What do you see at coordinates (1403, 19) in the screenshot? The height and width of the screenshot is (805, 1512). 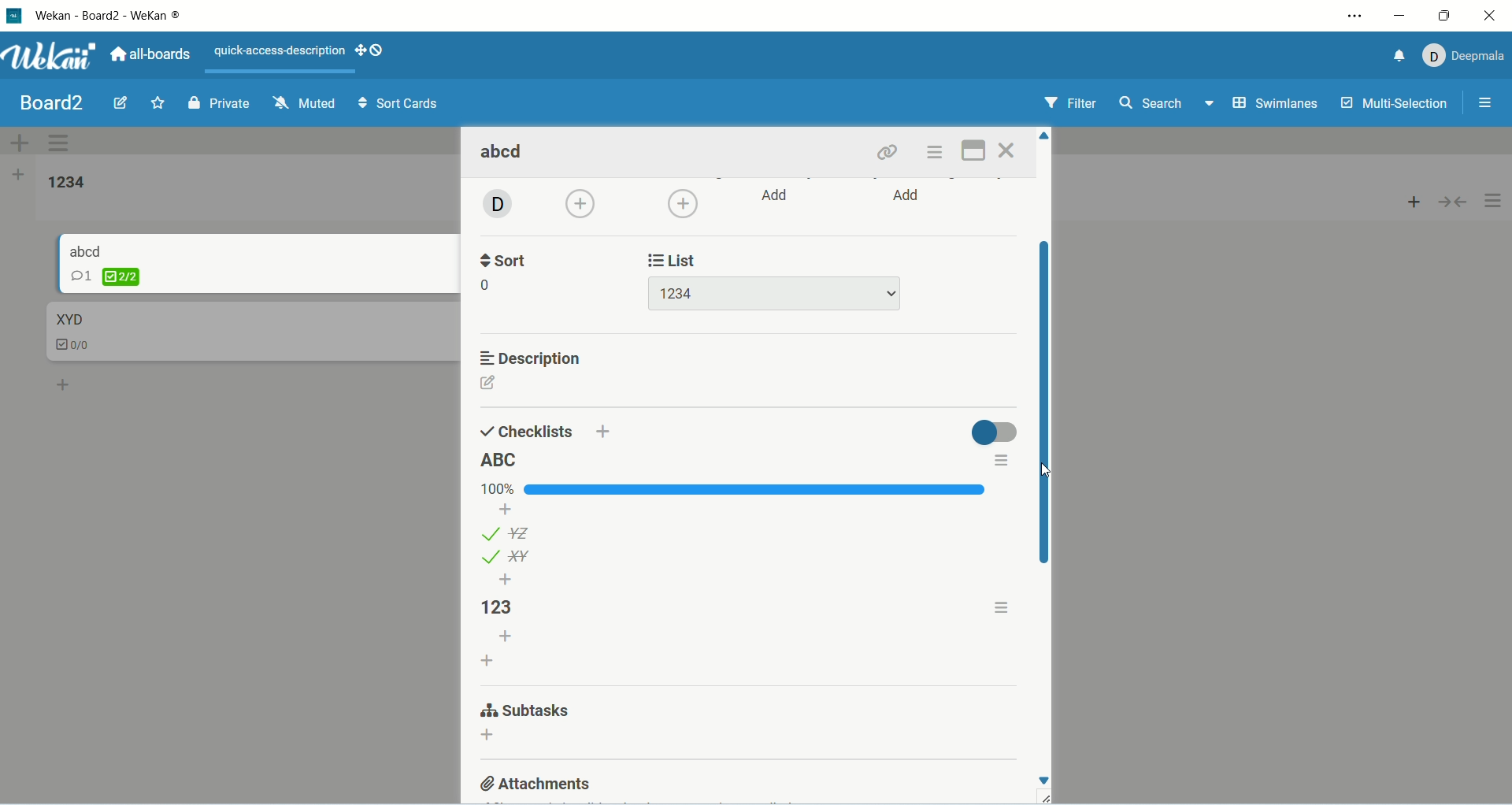 I see `minimize` at bounding box center [1403, 19].